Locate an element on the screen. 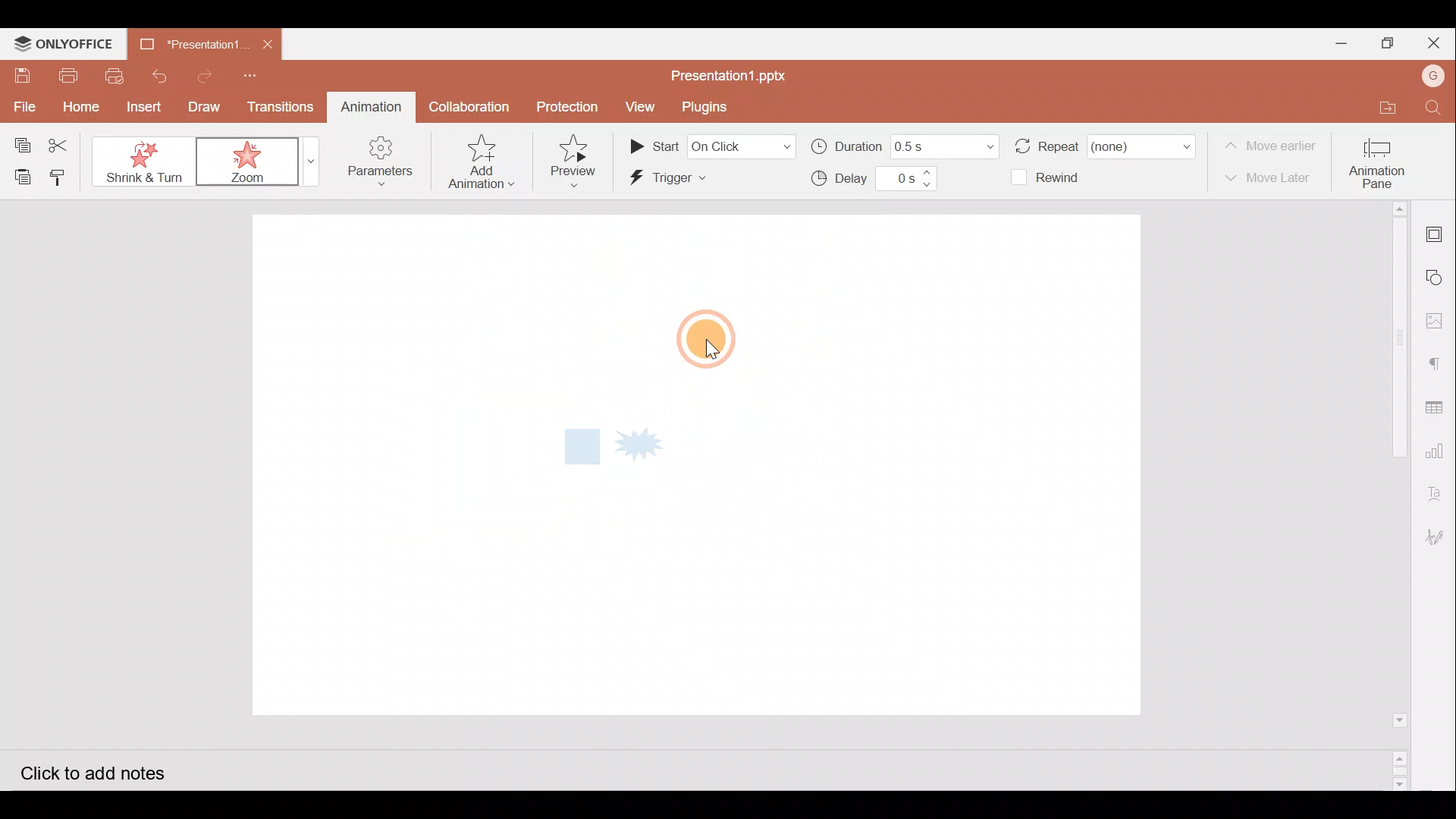 The height and width of the screenshot is (819, 1456). Minimize is located at coordinates (1335, 42).